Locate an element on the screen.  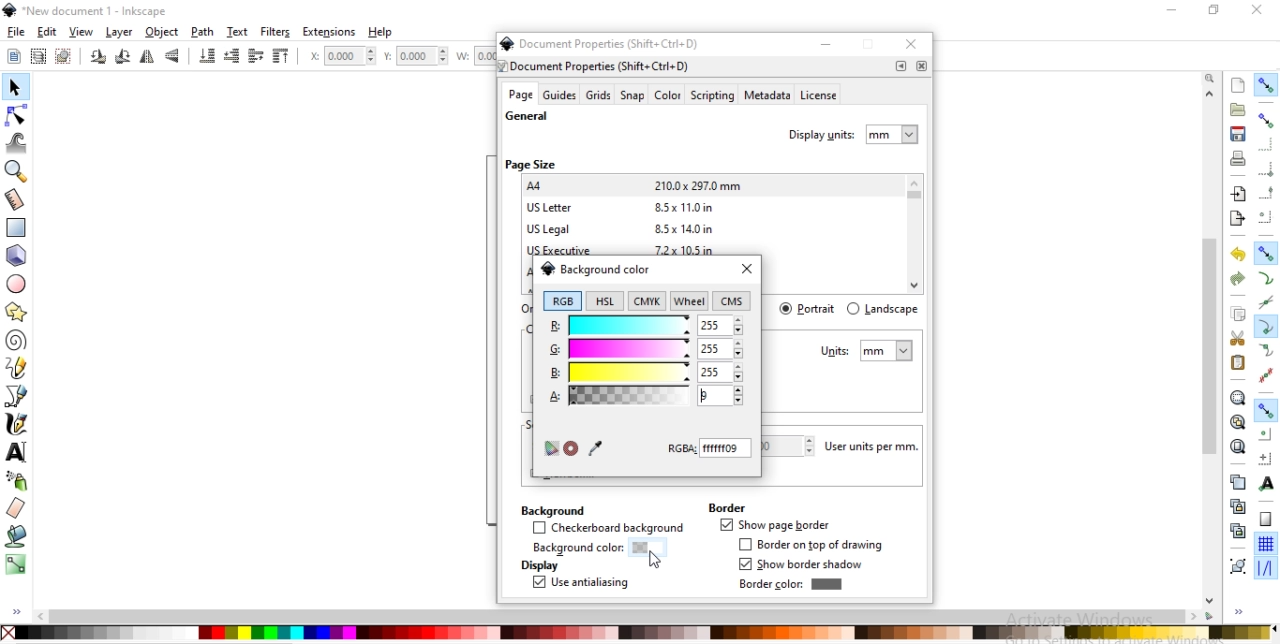
flip horizontally is located at coordinates (150, 57).